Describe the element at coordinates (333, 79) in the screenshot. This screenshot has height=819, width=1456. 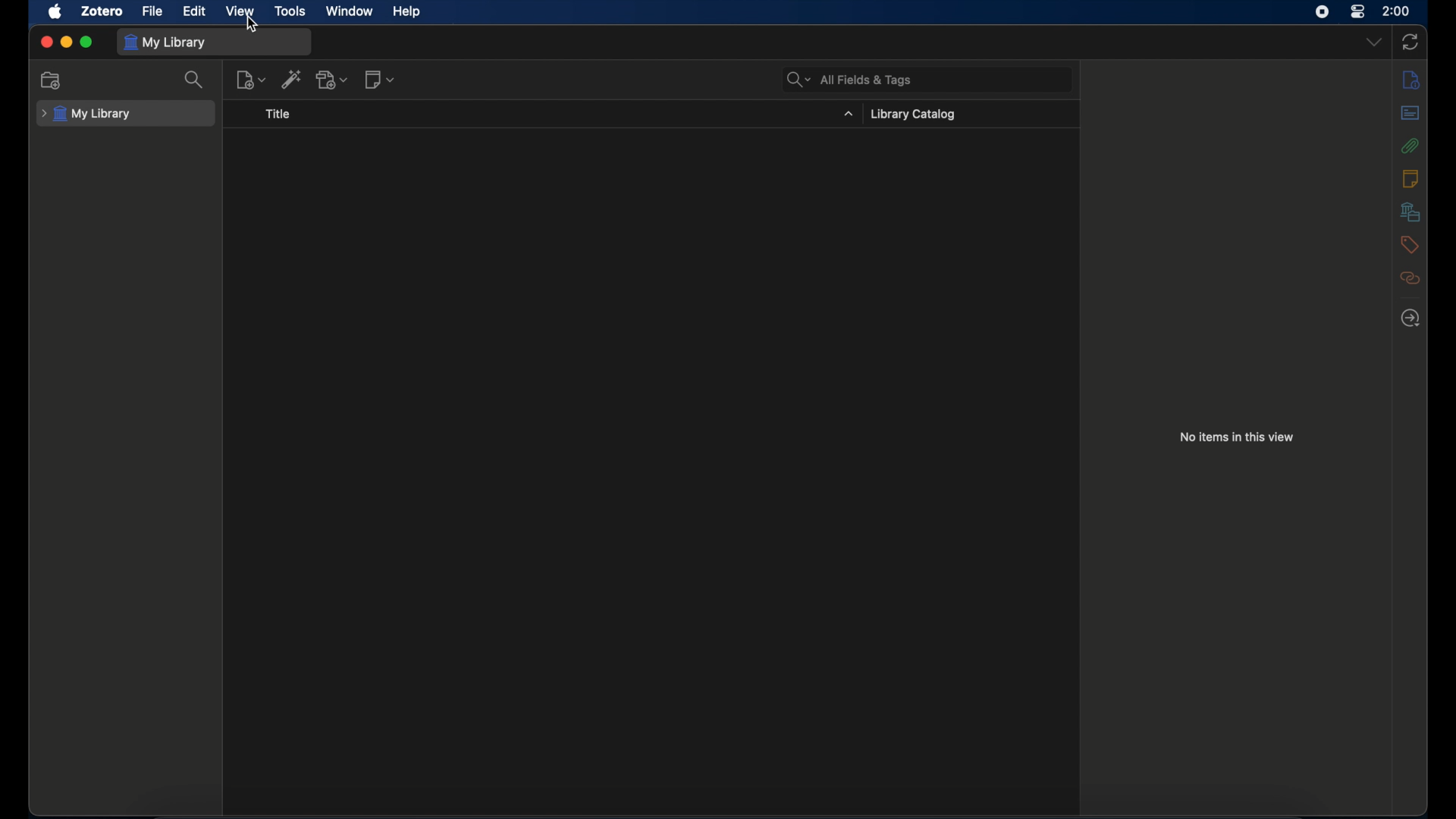
I see `add attachment` at that location.